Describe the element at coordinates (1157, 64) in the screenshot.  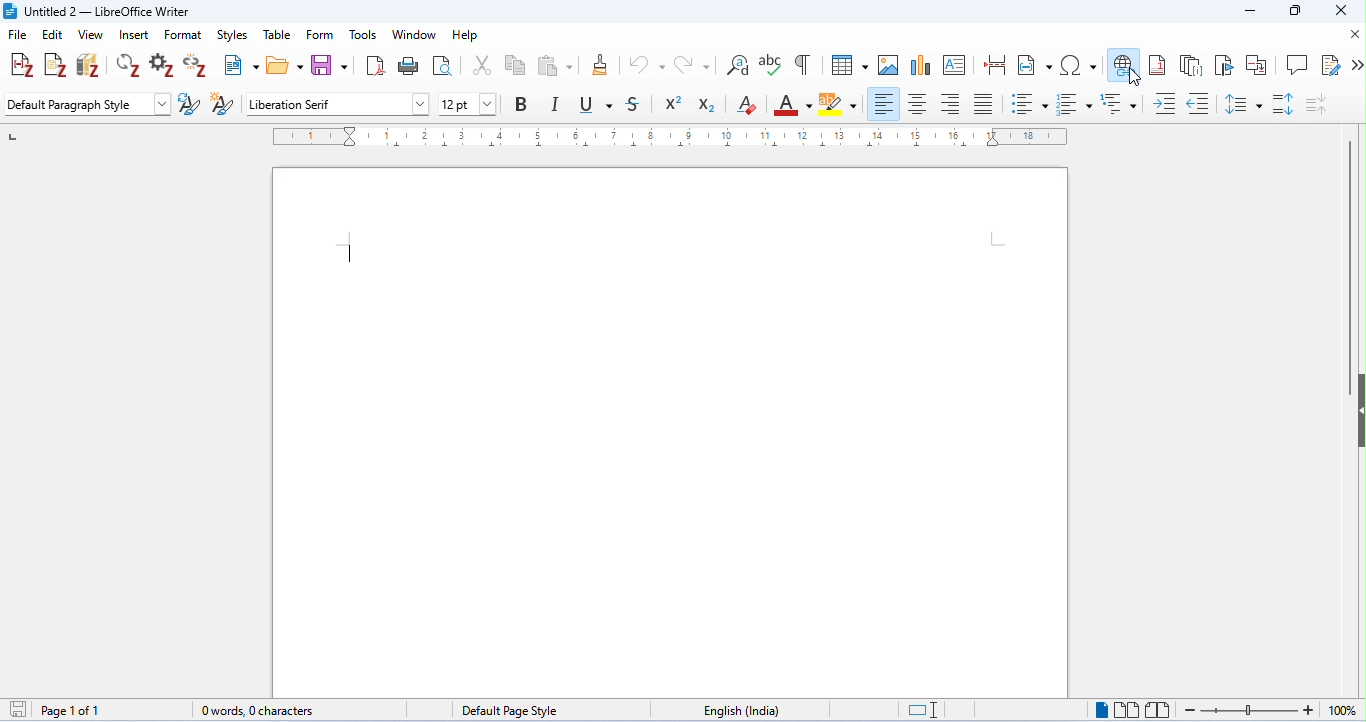
I see `insert footnote` at that location.